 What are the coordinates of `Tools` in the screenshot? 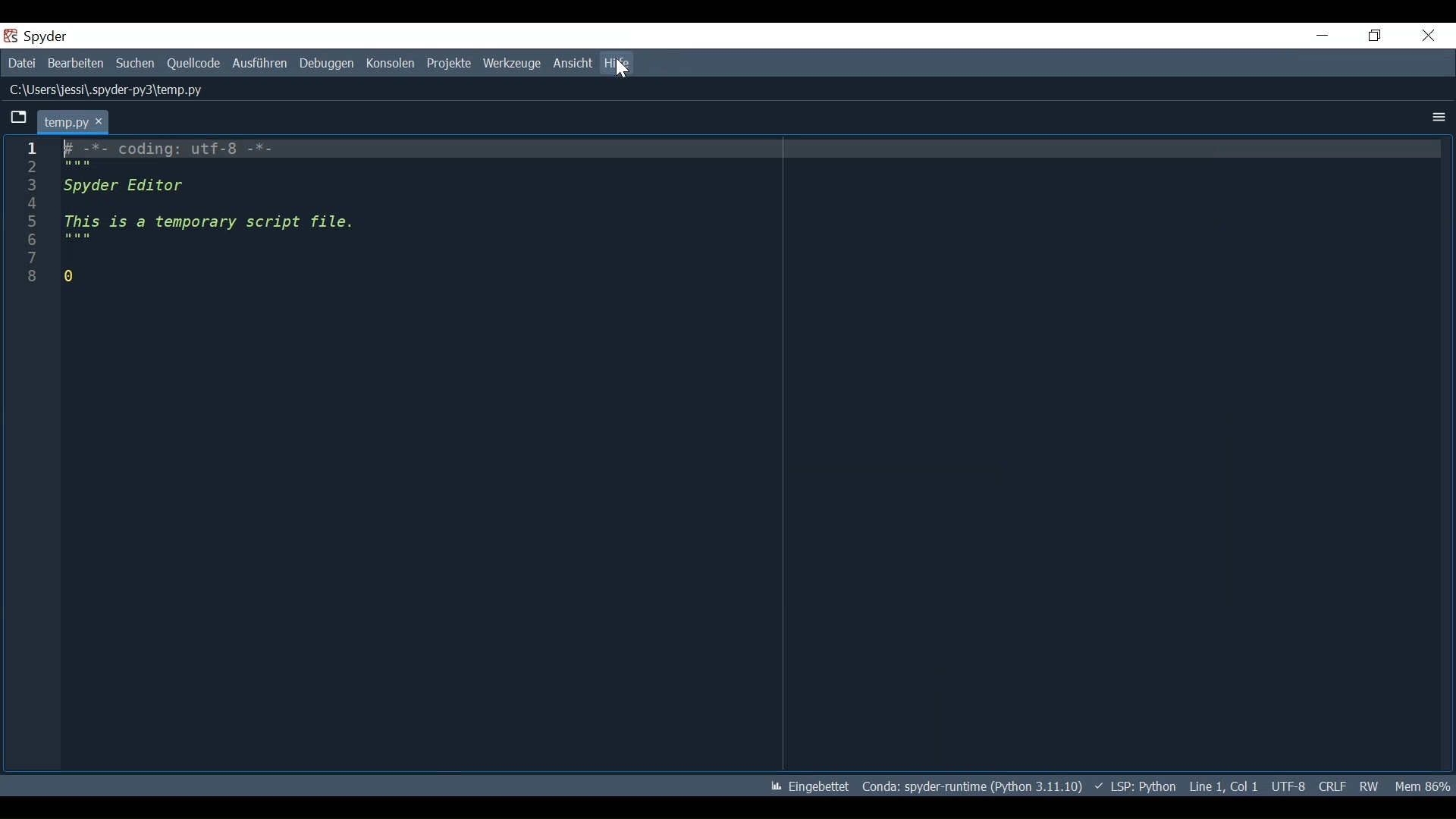 It's located at (513, 64).